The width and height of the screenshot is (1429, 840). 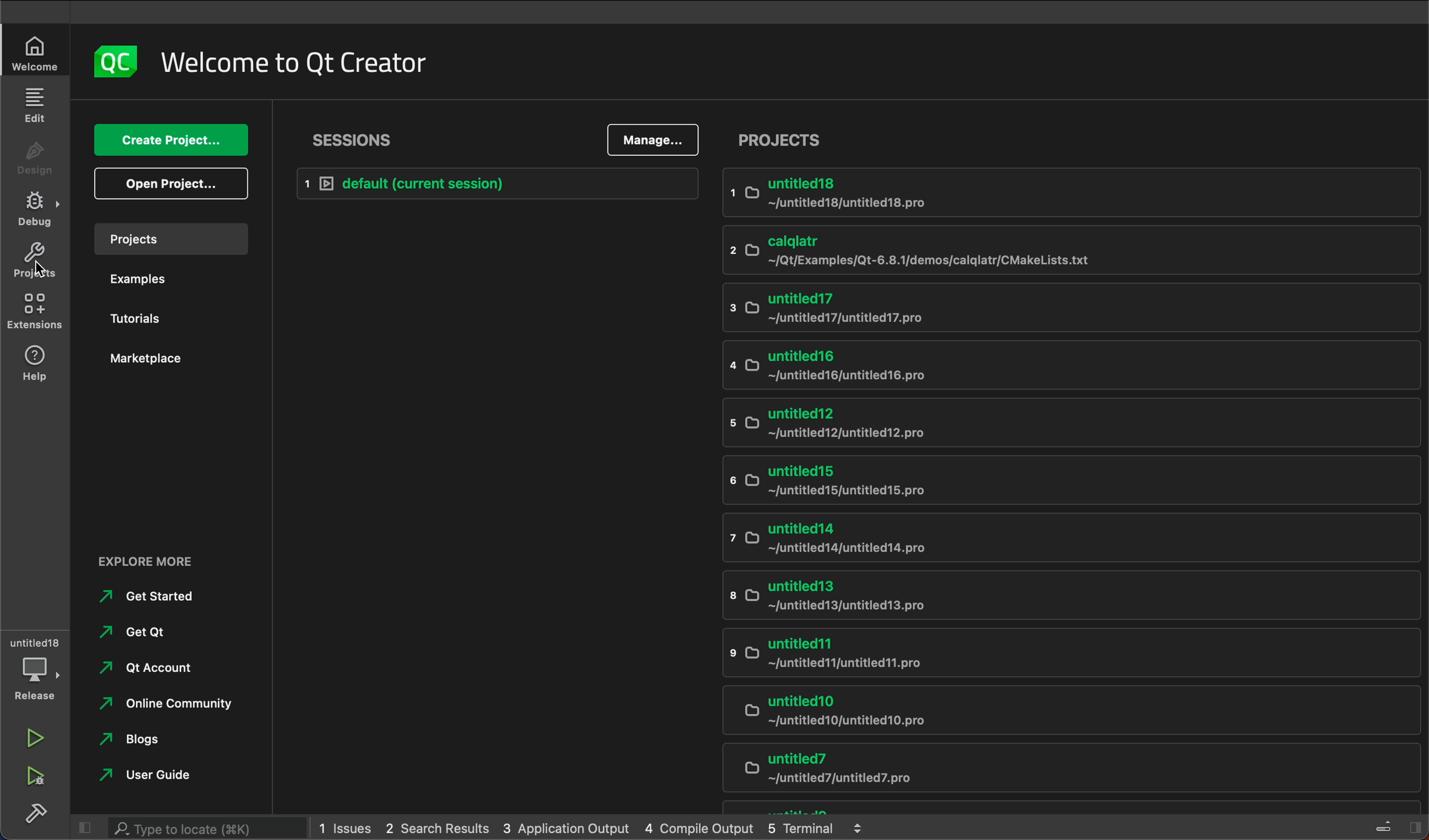 What do you see at coordinates (162, 561) in the screenshot?
I see `explore more` at bounding box center [162, 561].